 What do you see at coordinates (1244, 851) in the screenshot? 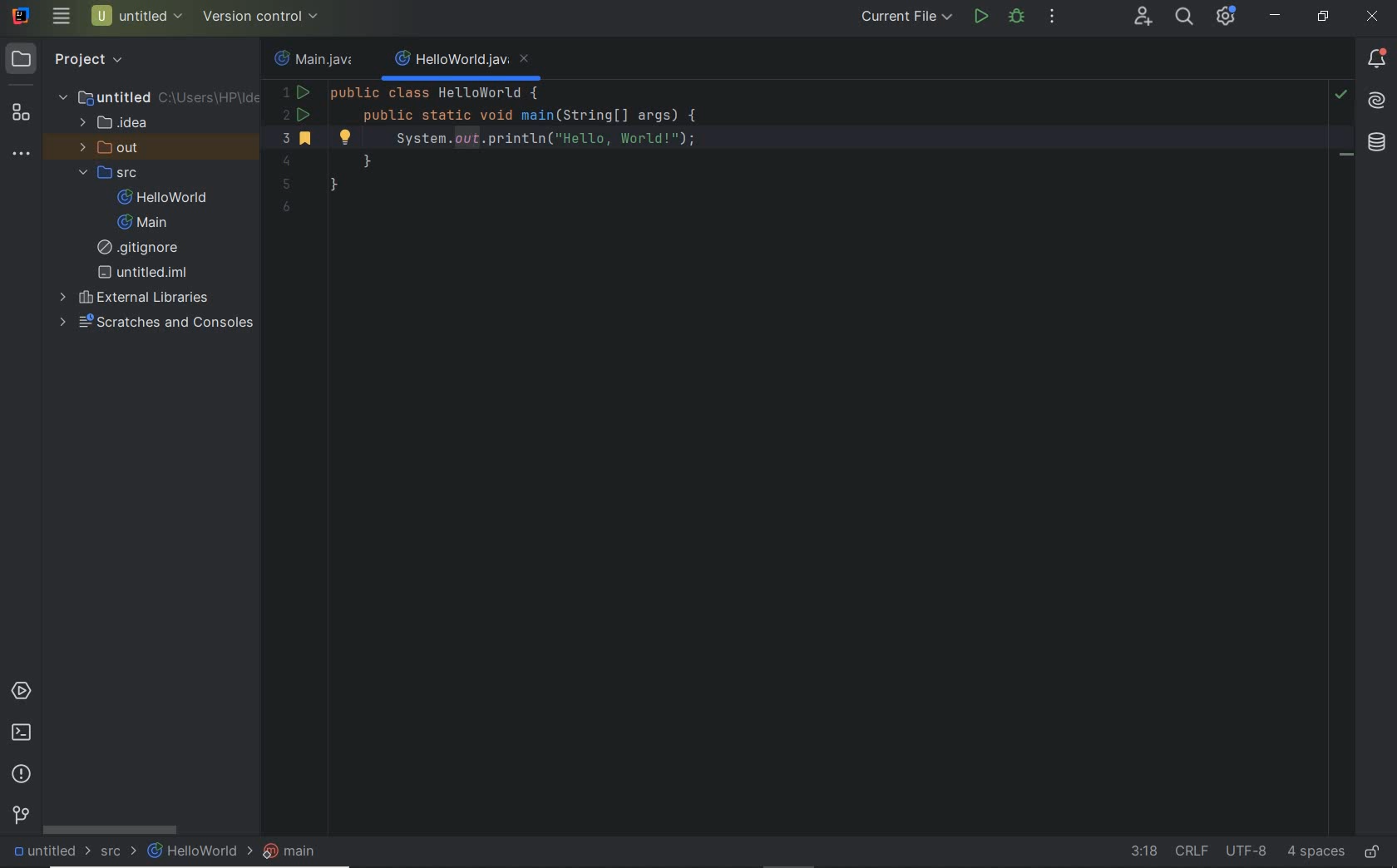
I see `UTF-8(file encoding)` at bounding box center [1244, 851].